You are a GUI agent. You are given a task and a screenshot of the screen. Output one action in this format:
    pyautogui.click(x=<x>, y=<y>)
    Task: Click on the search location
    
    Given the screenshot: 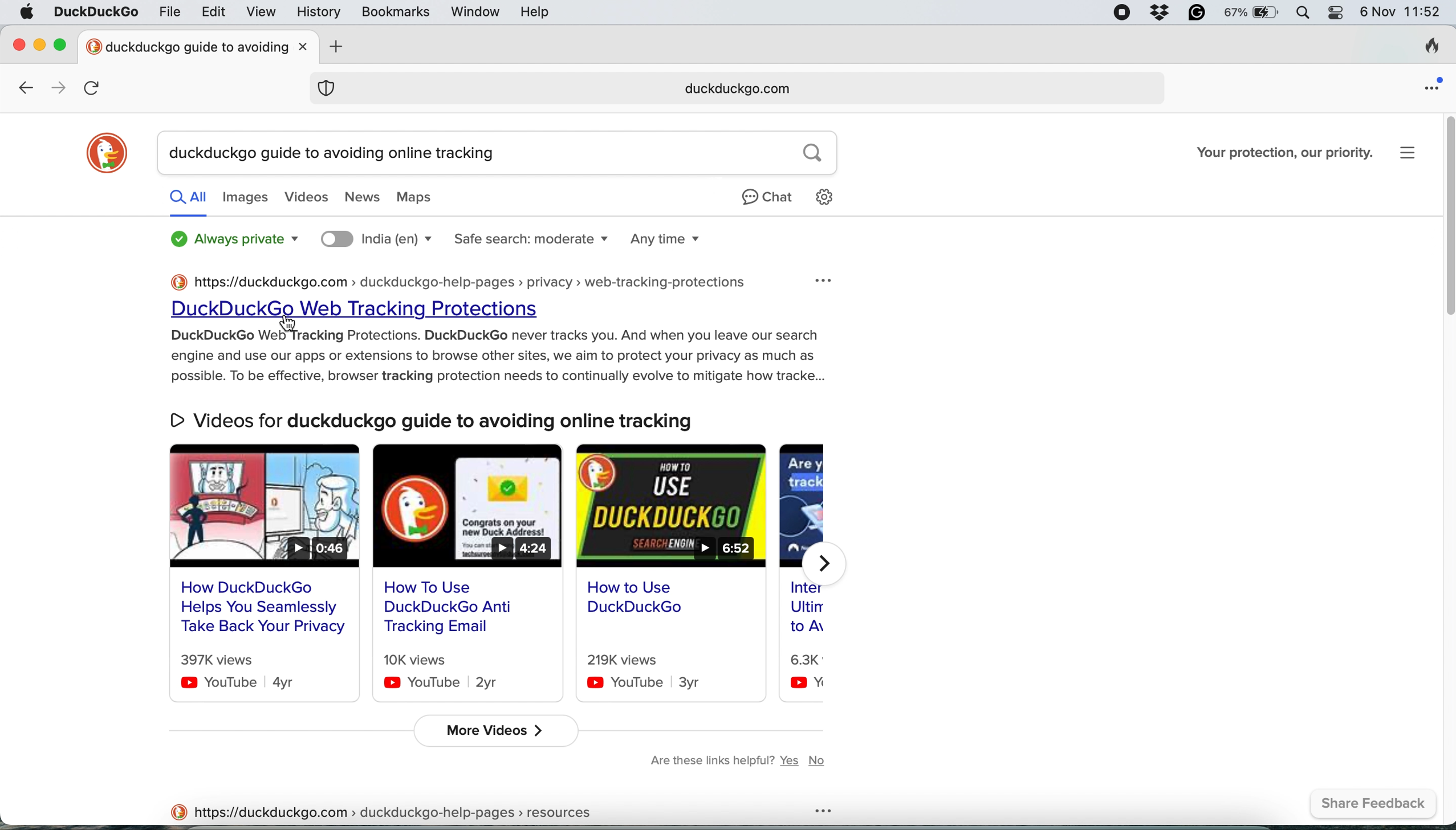 What is the action you would take?
    pyautogui.click(x=372, y=241)
    